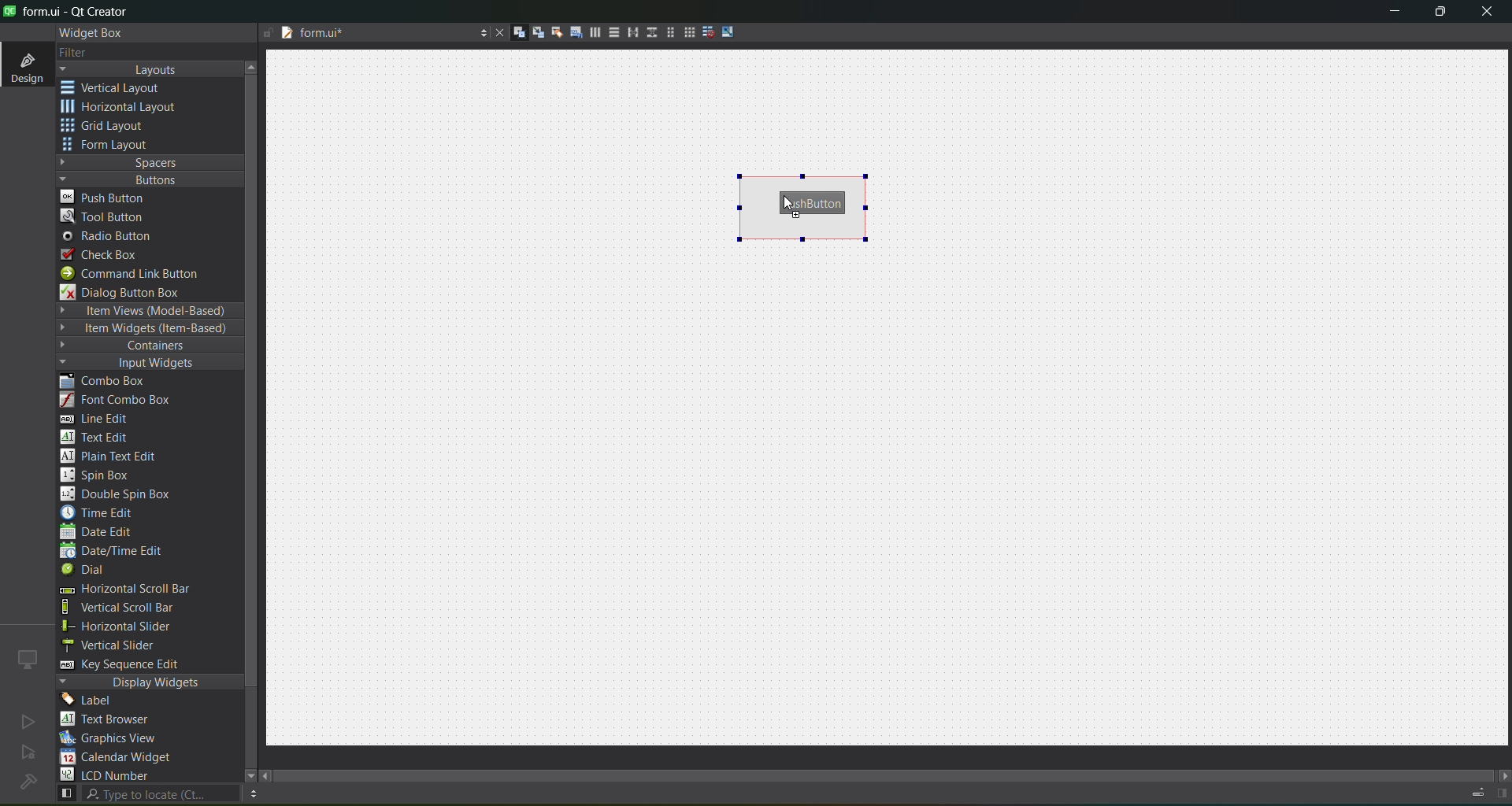 The height and width of the screenshot is (806, 1512). I want to click on layouts, so click(150, 69).